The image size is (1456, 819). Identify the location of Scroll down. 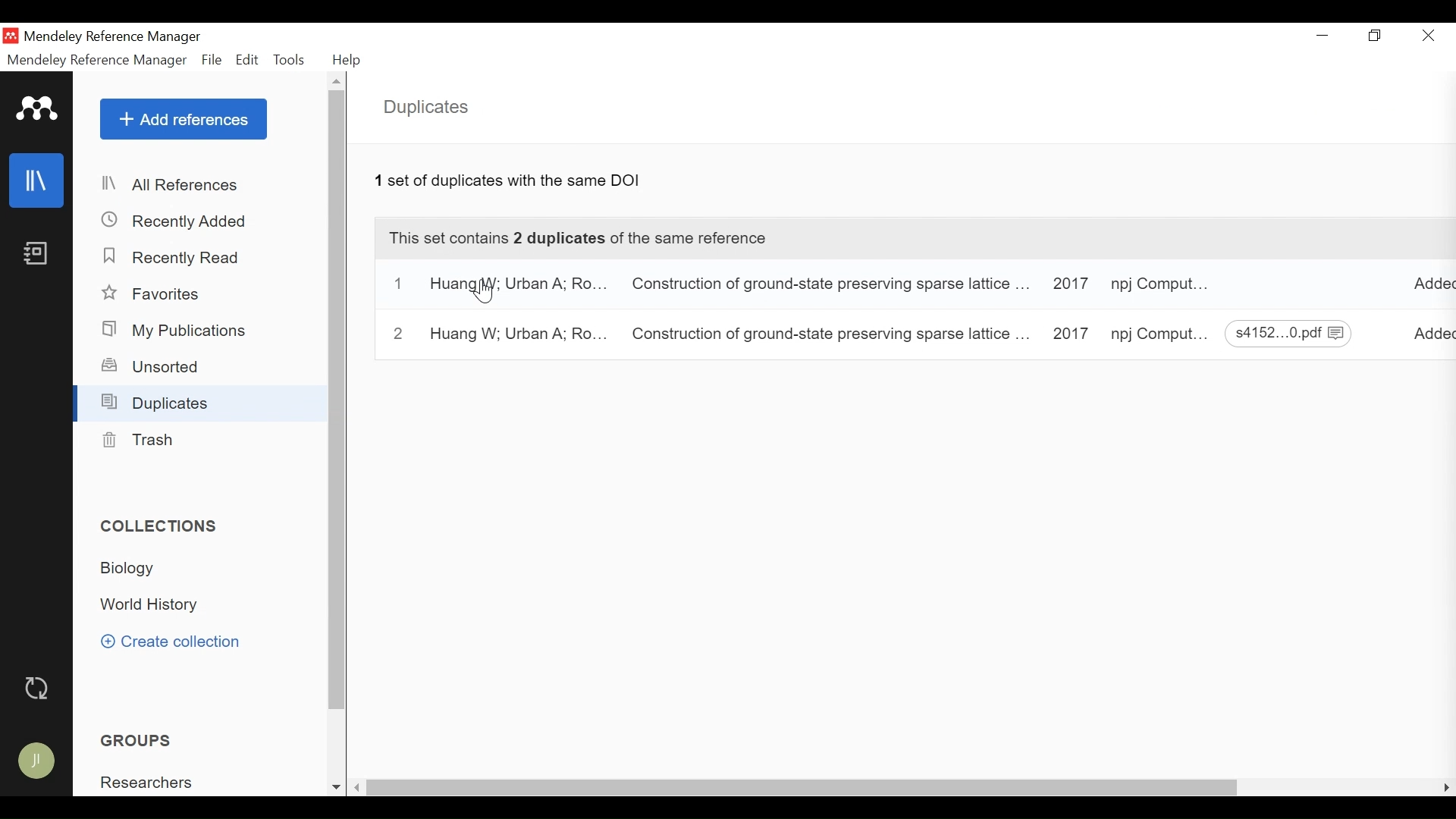
(334, 789).